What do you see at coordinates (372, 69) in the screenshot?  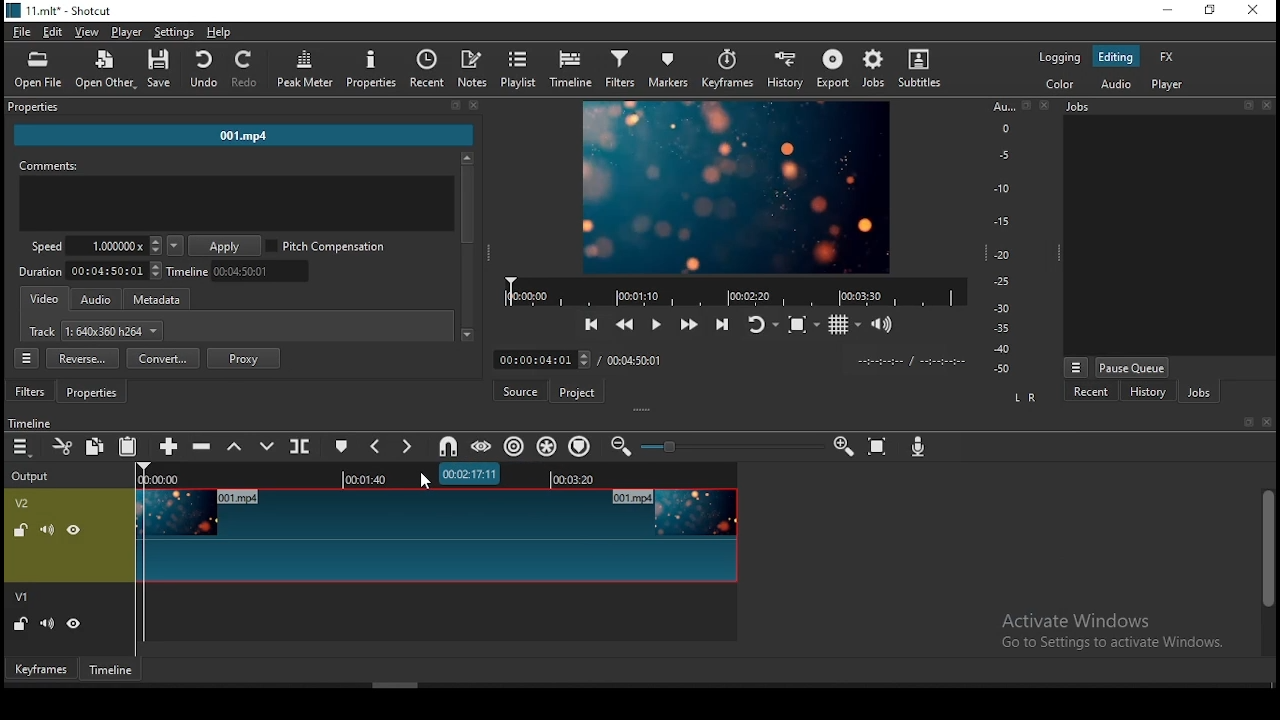 I see `properties` at bounding box center [372, 69].